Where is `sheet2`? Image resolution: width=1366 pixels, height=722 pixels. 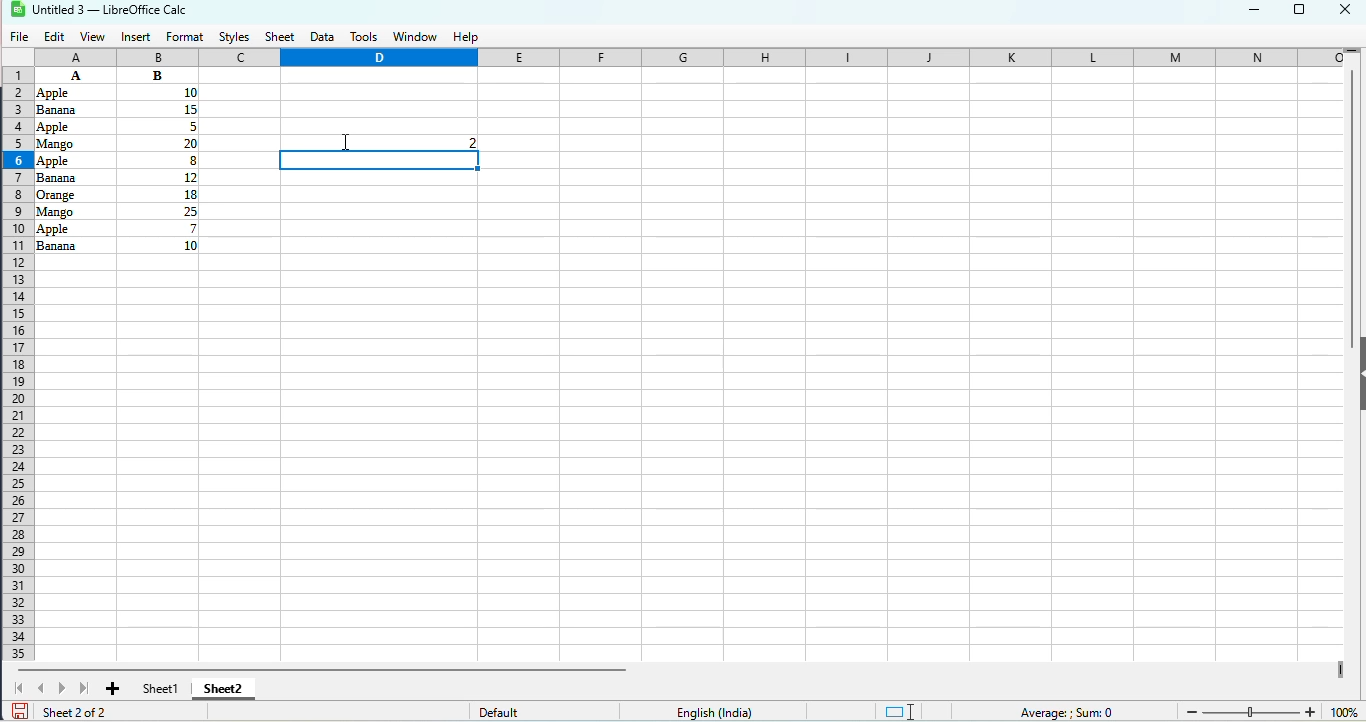 sheet2 is located at coordinates (224, 688).